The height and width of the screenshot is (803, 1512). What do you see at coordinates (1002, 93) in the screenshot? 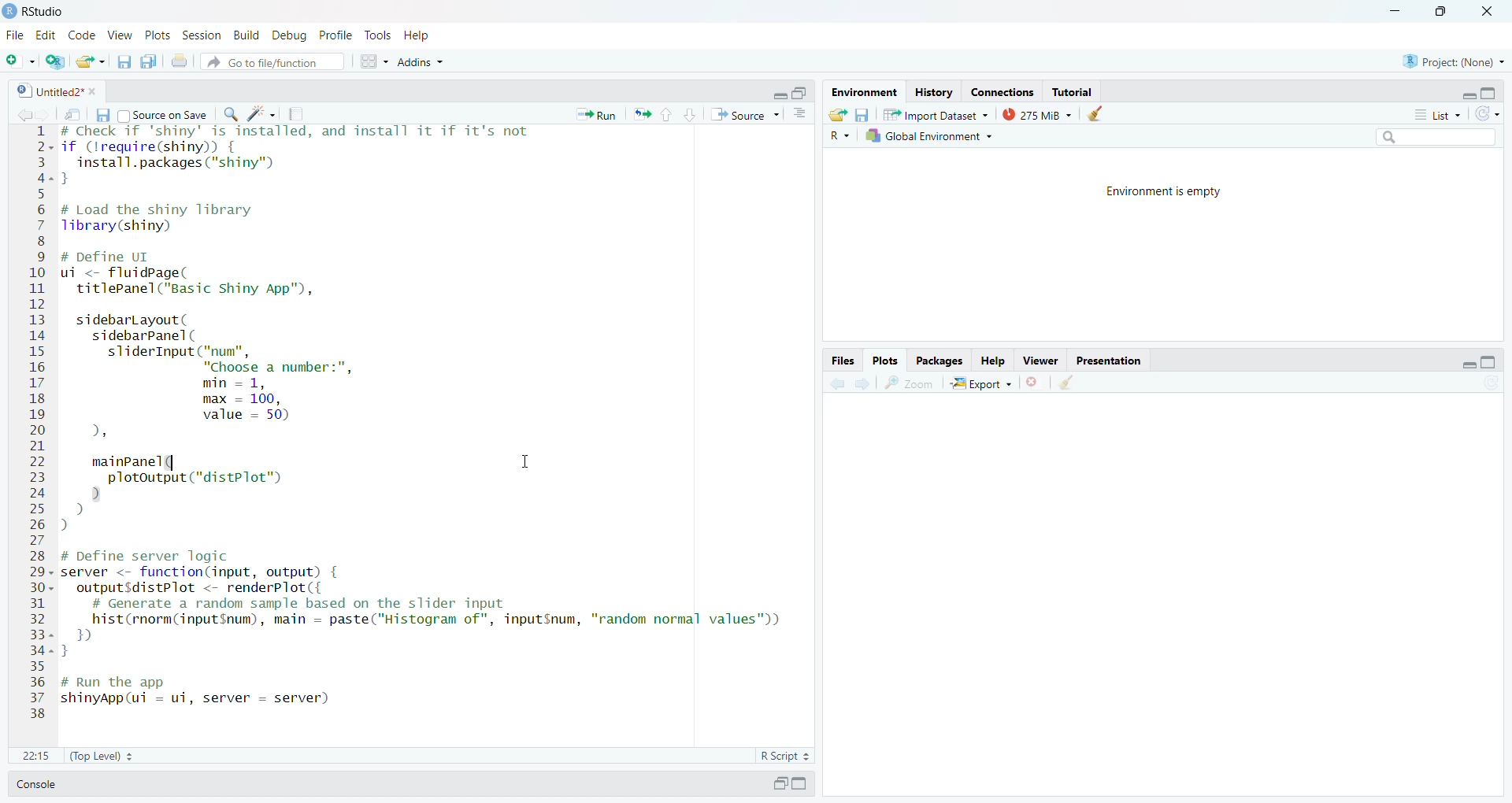
I see `Connections` at bounding box center [1002, 93].